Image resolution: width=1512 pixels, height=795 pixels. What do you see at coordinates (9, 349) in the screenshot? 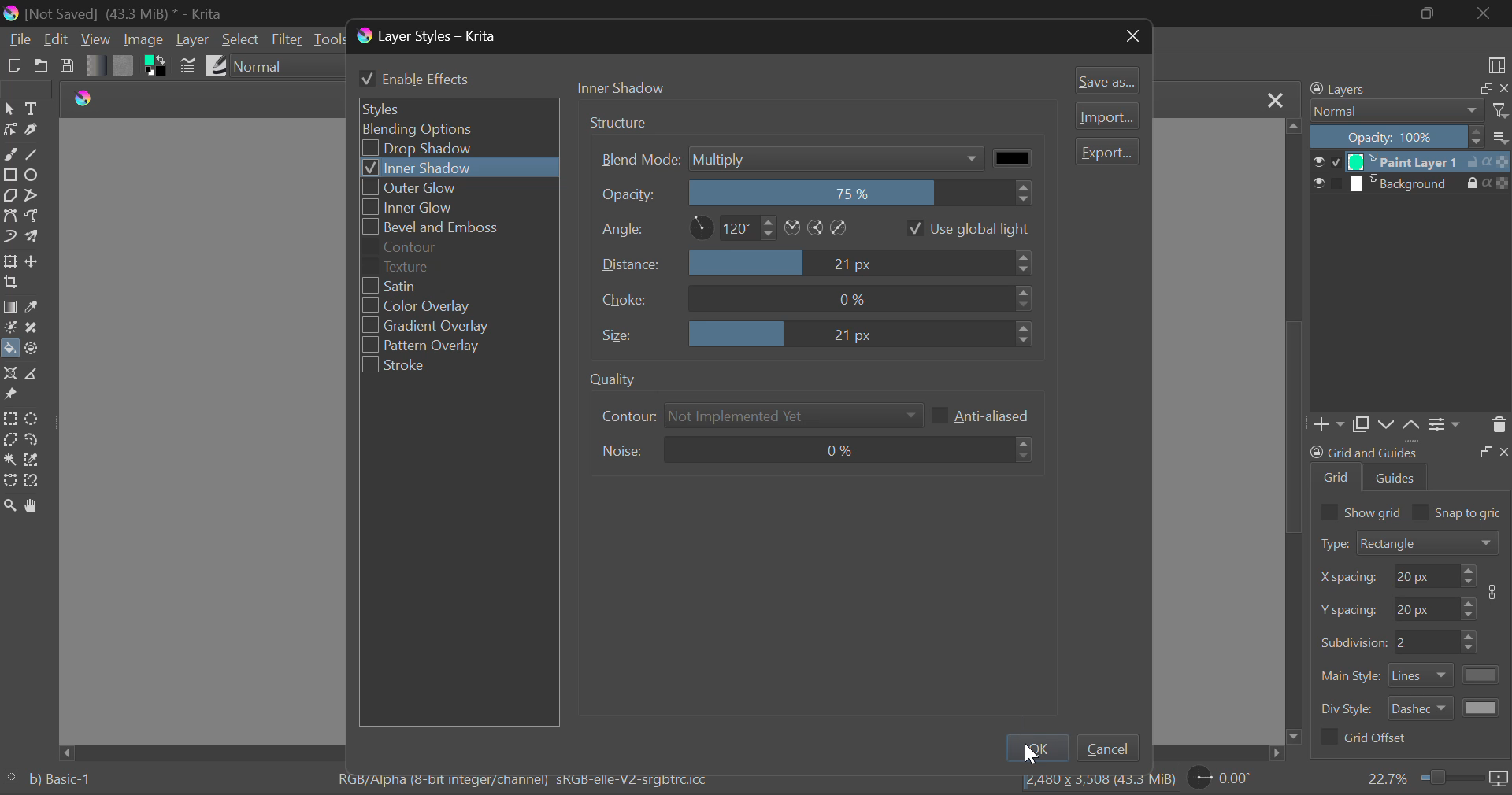
I see `Fill` at bounding box center [9, 349].